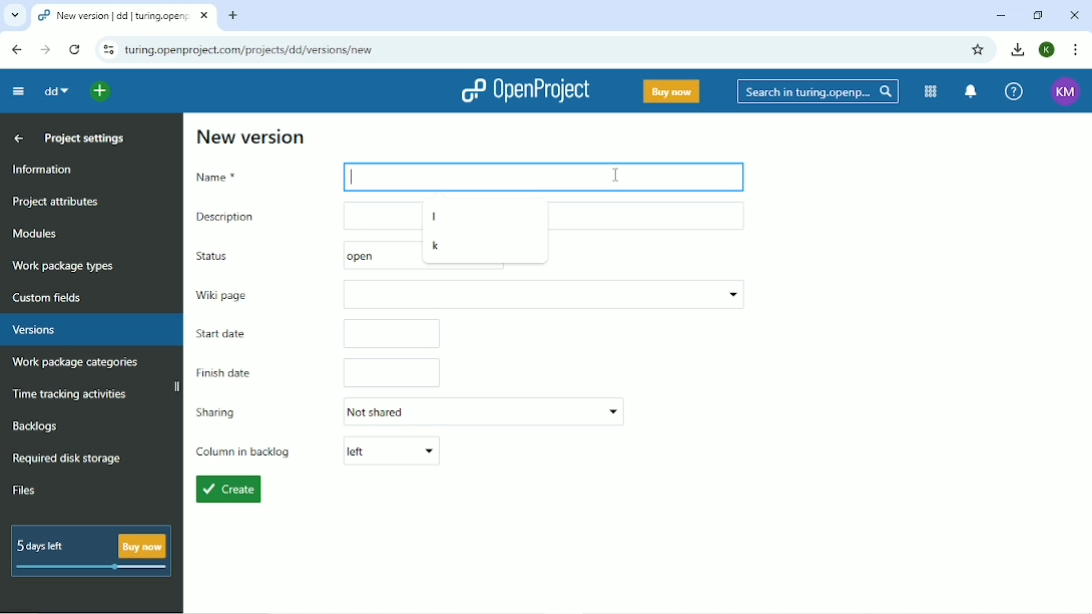  I want to click on OpenProject, so click(525, 91).